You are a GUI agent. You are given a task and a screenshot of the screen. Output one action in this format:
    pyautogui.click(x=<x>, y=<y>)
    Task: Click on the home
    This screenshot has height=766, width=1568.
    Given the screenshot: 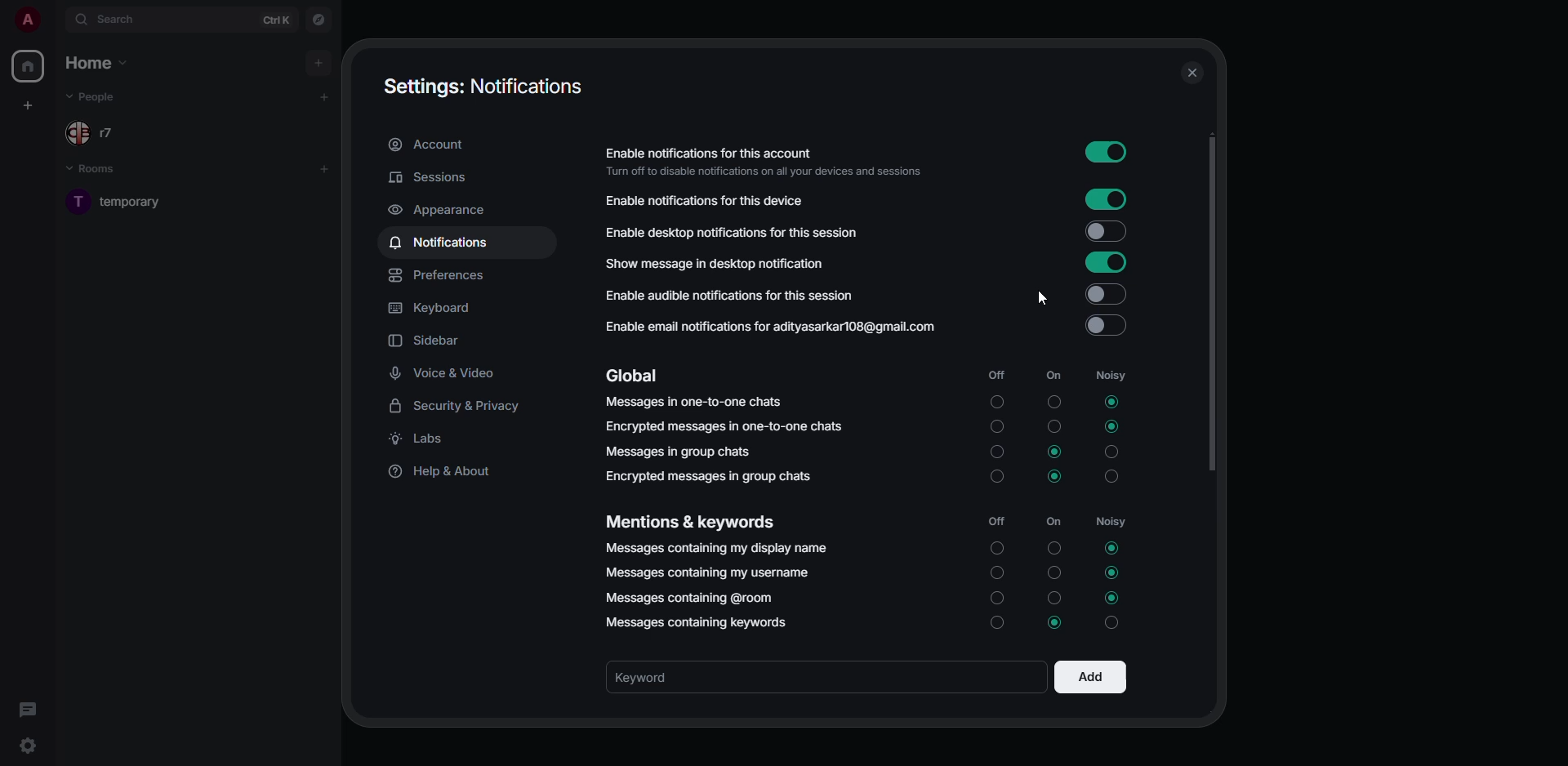 What is the action you would take?
    pyautogui.click(x=30, y=69)
    